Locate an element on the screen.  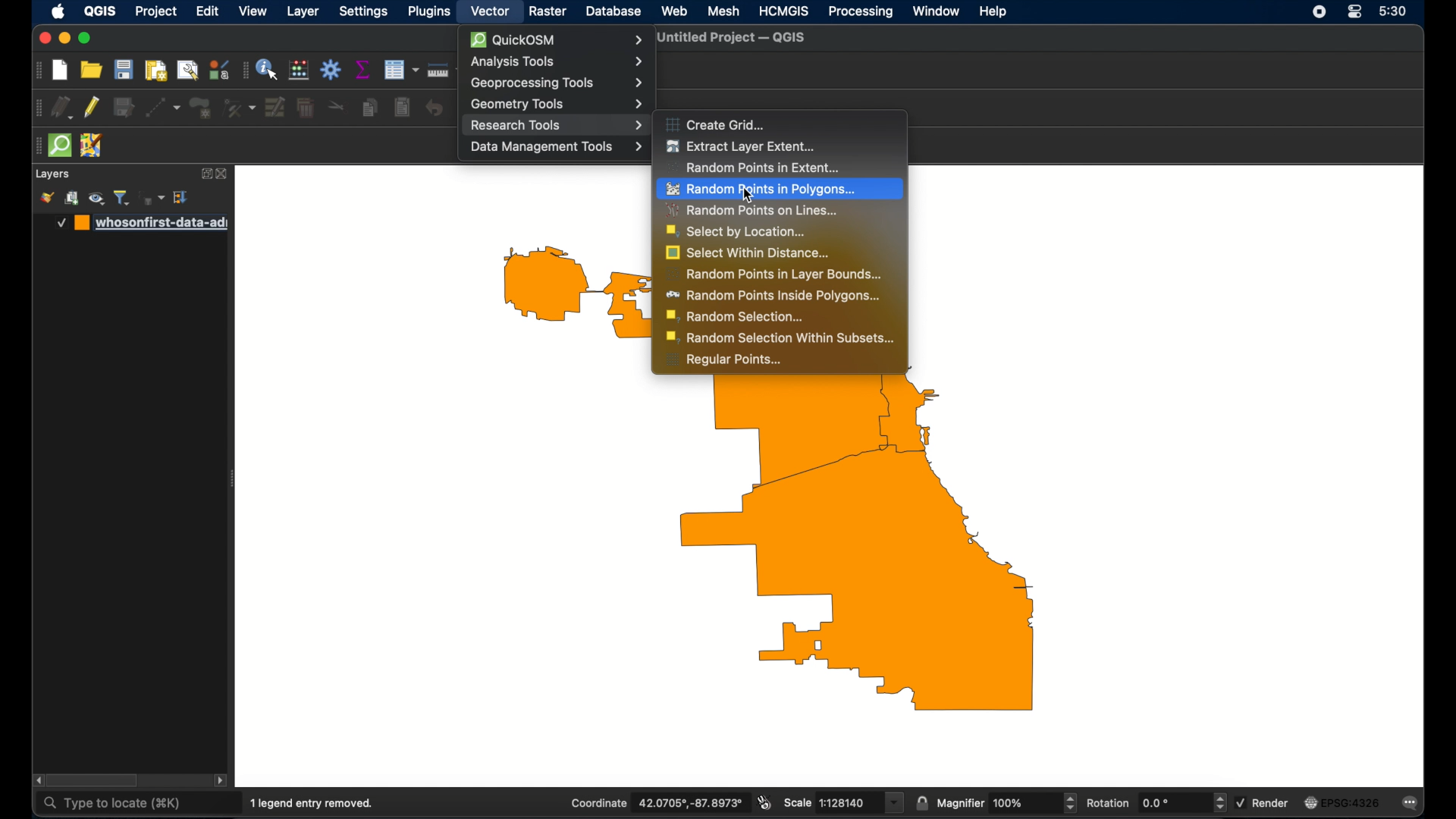
US  westside map is located at coordinates (782, 554).